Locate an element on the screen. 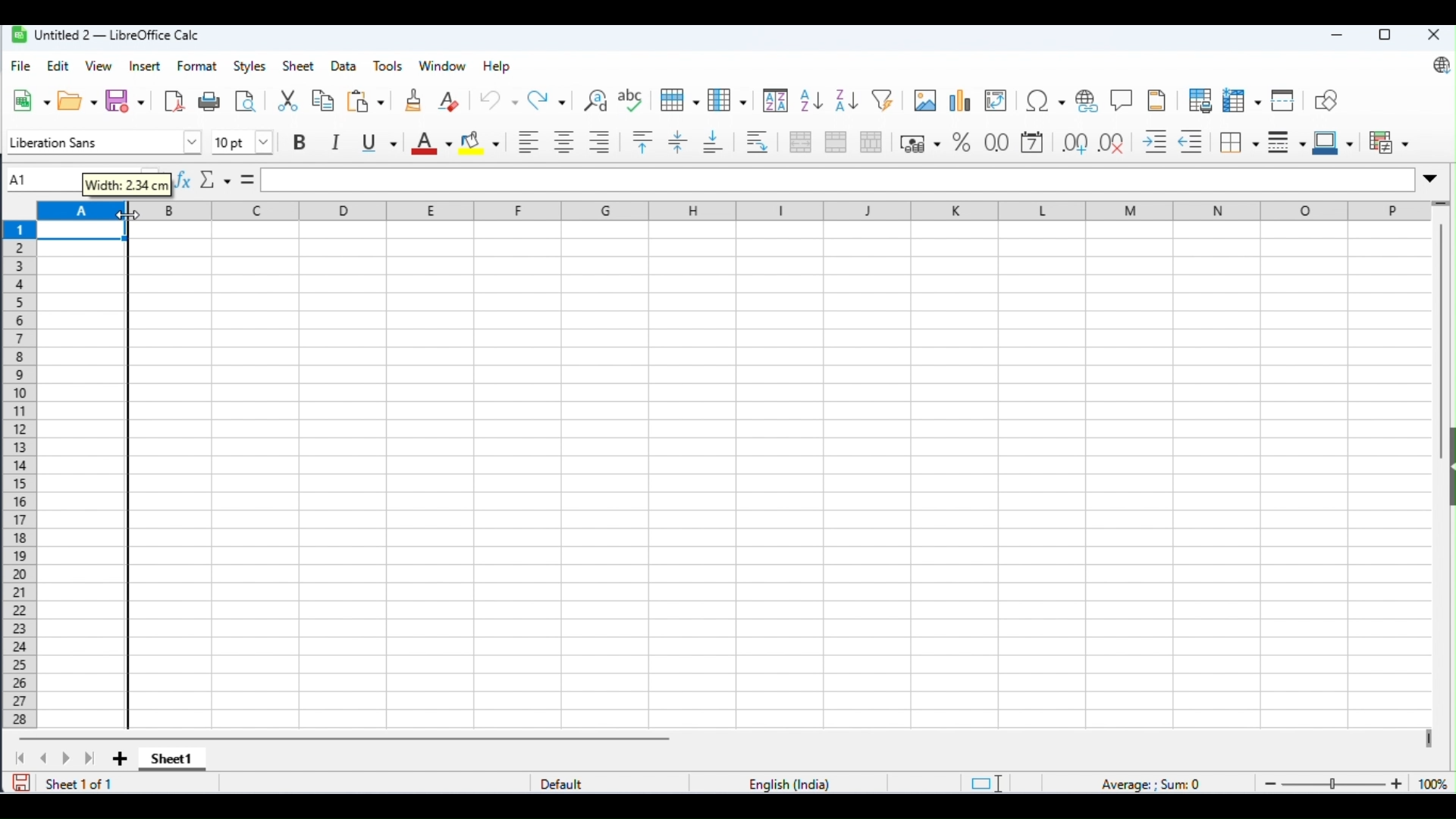 The height and width of the screenshot is (819, 1456). previous sheet is located at coordinates (44, 758).